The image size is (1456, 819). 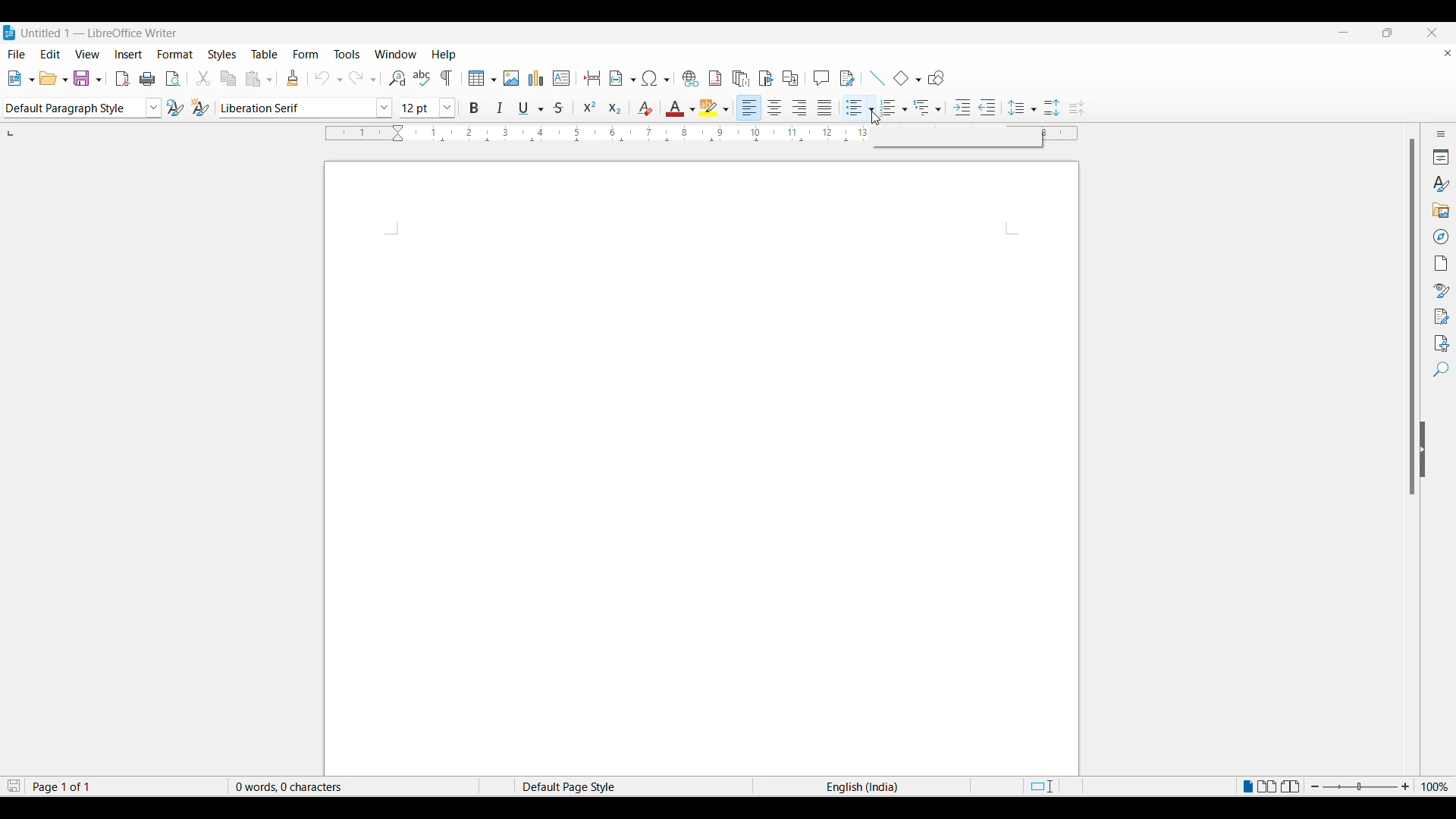 What do you see at coordinates (266, 53) in the screenshot?
I see `Table` at bounding box center [266, 53].